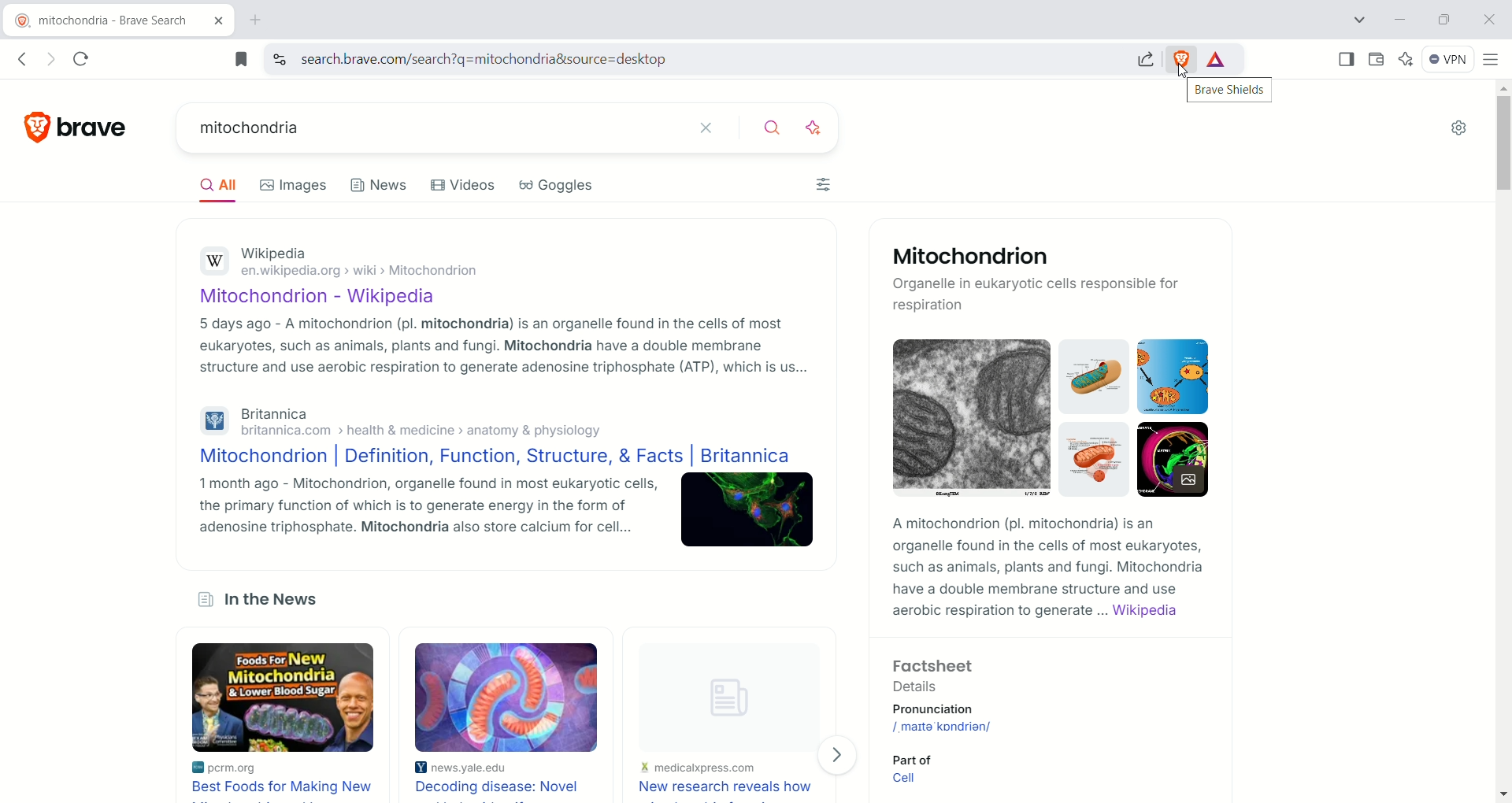 The width and height of the screenshot is (1512, 803). Describe the element at coordinates (720, 690) in the screenshot. I see `Image` at that location.